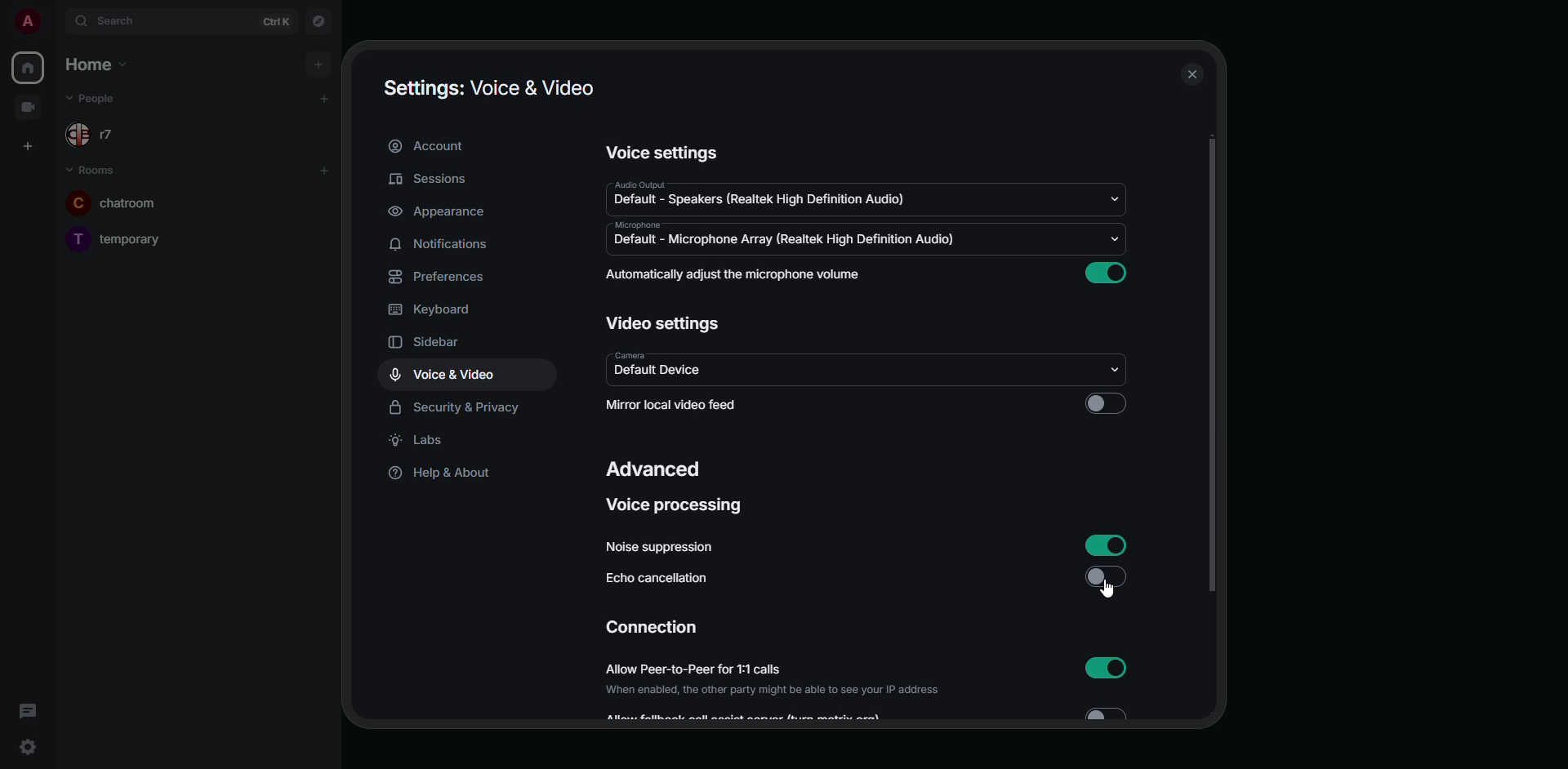 The image size is (1568, 769). What do you see at coordinates (421, 442) in the screenshot?
I see `labs` at bounding box center [421, 442].